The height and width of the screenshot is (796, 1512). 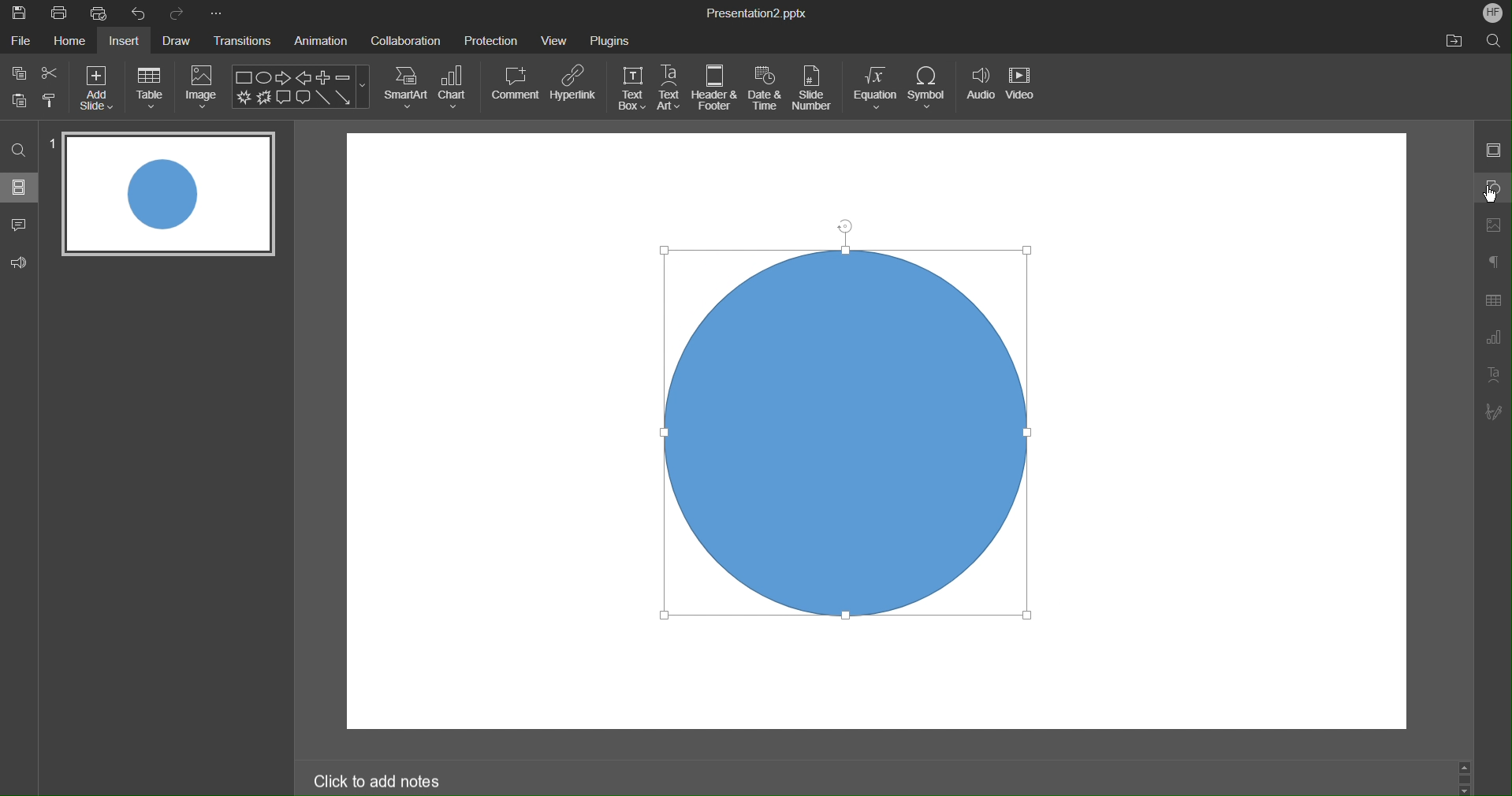 What do you see at coordinates (216, 13) in the screenshot?
I see `More` at bounding box center [216, 13].